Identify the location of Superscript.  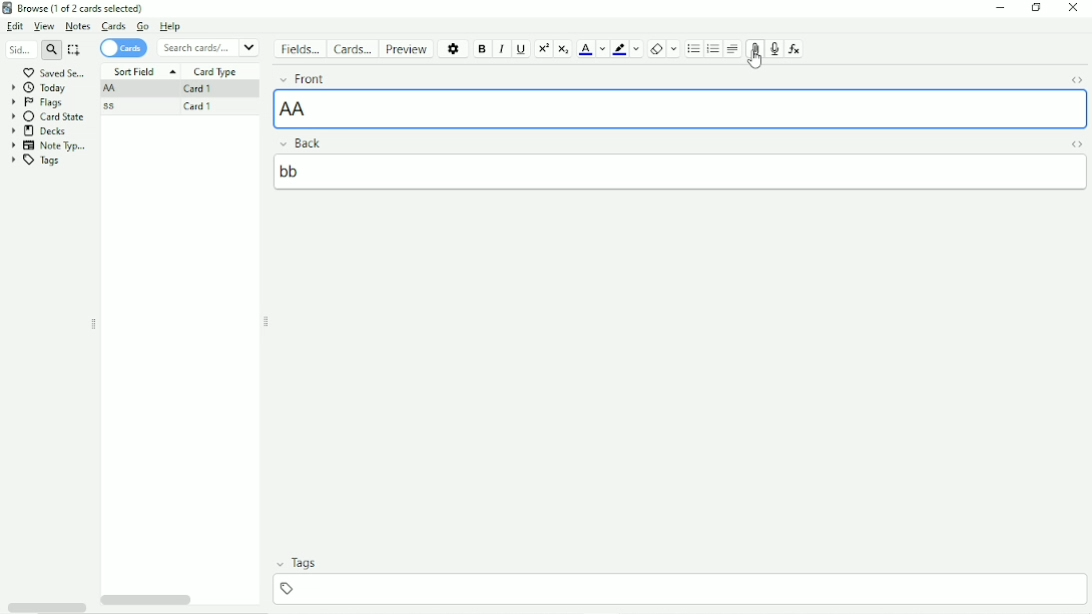
(542, 50).